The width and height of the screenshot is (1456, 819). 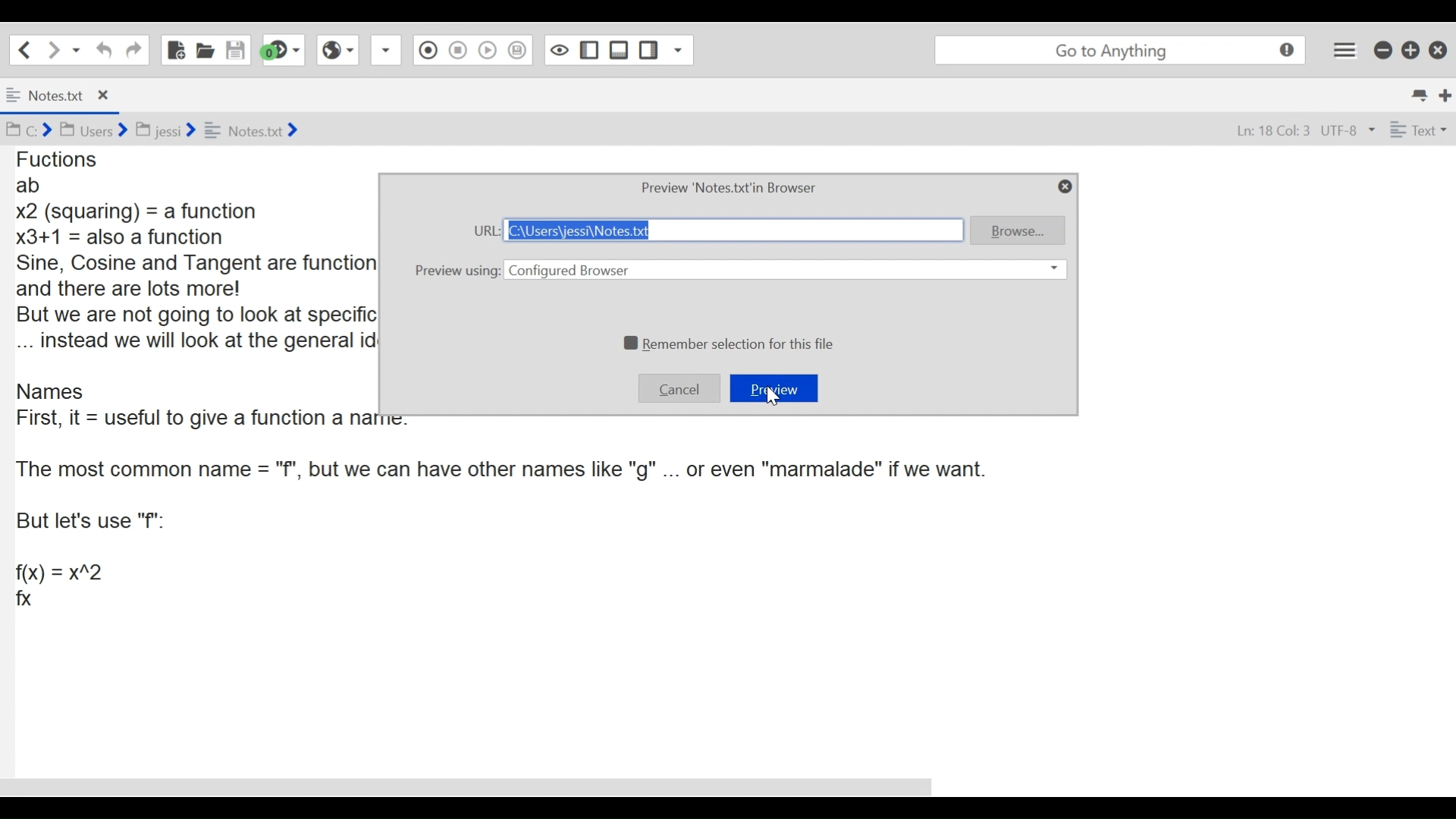 What do you see at coordinates (388, 50) in the screenshot?
I see `show specific sidebar/tab` at bounding box center [388, 50].